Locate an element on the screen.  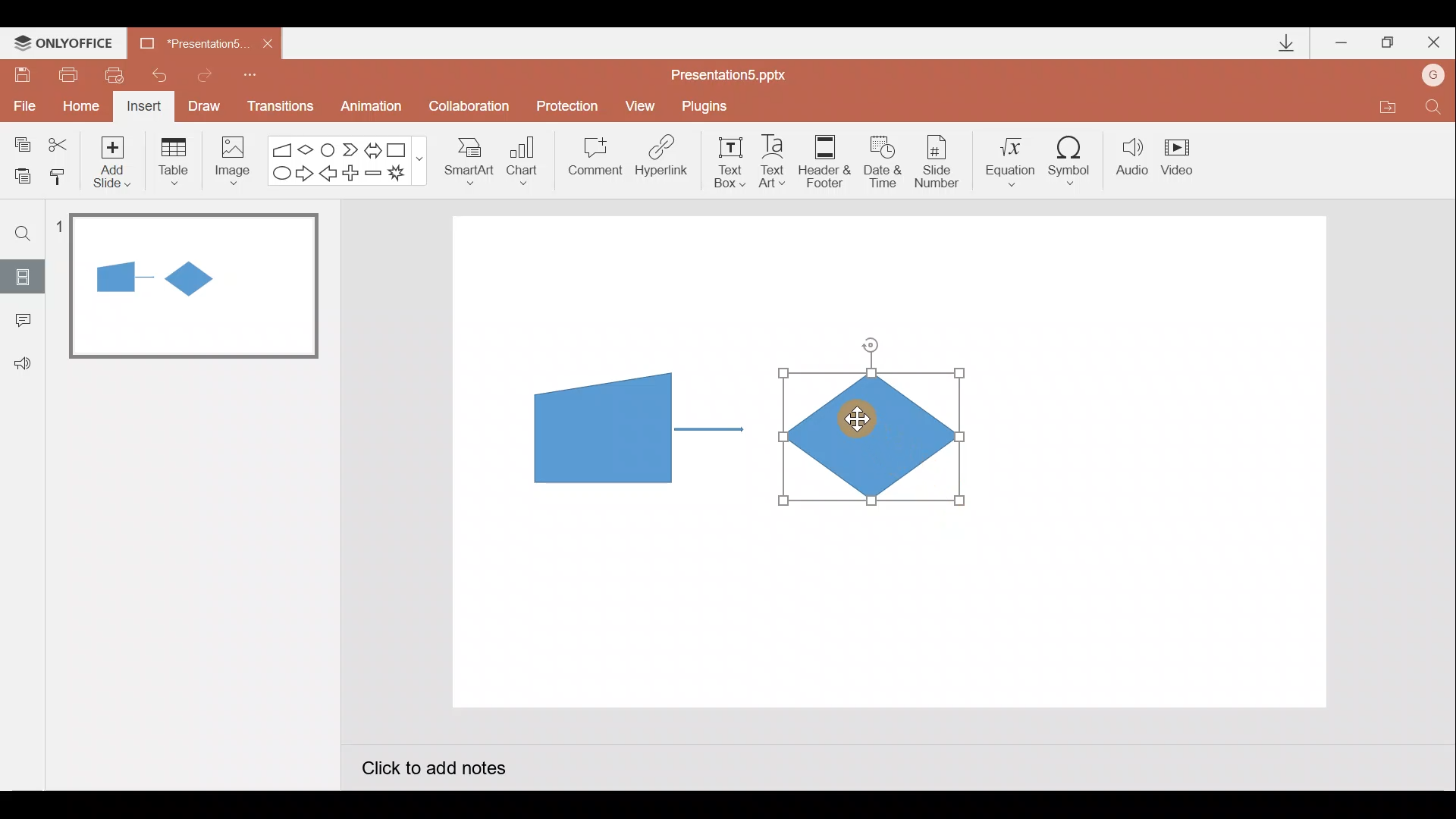
File is located at coordinates (21, 102).